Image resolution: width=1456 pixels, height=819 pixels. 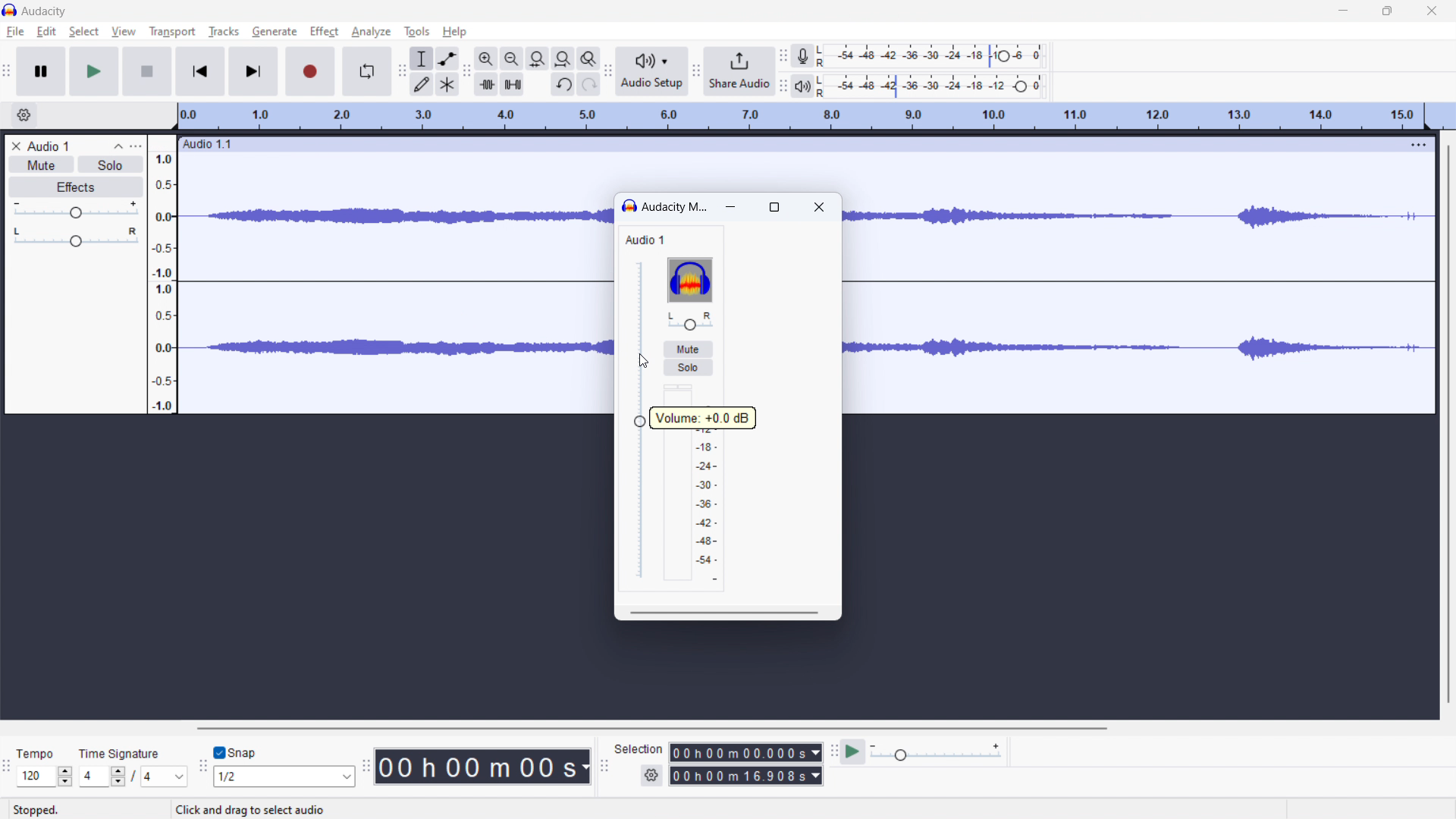 I want to click on delete, so click(x=16, y=146).